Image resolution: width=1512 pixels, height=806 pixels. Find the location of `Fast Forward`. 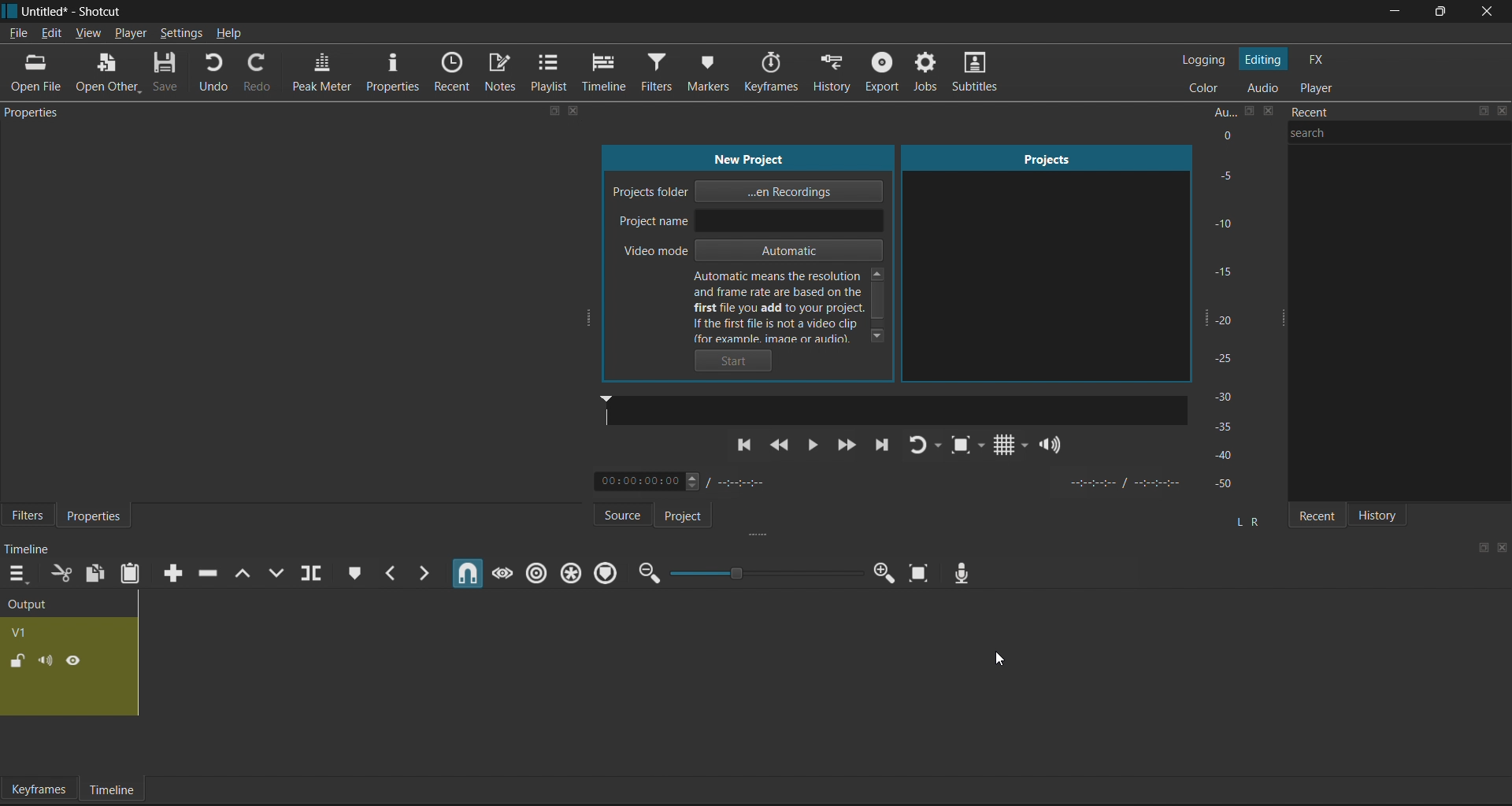

Fast Forward is located at coordinates (845, 445).